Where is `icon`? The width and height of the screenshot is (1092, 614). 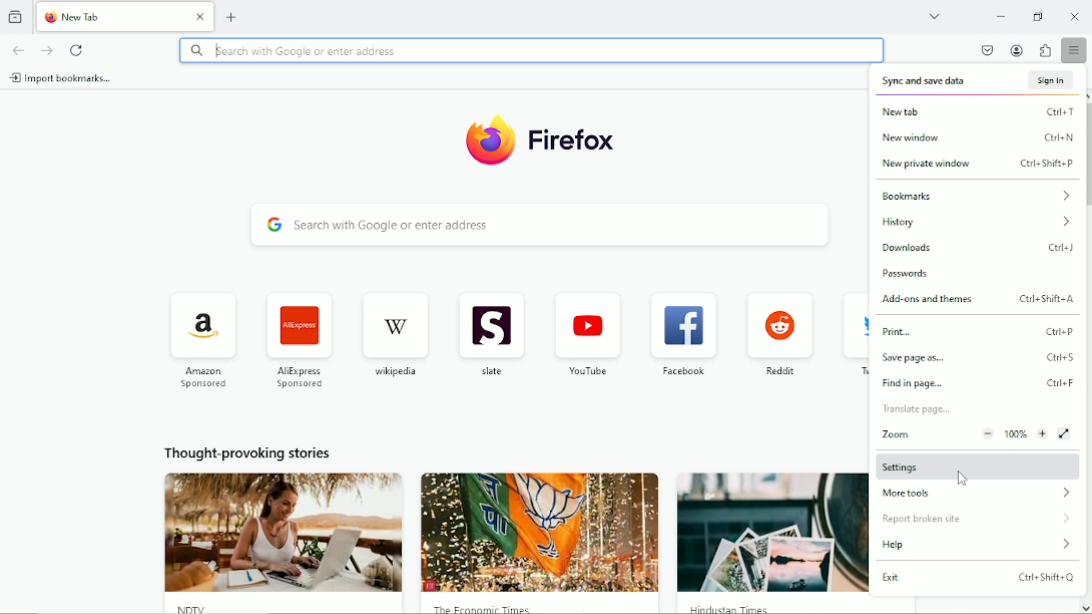 icon is located at coordinates (486, 139).